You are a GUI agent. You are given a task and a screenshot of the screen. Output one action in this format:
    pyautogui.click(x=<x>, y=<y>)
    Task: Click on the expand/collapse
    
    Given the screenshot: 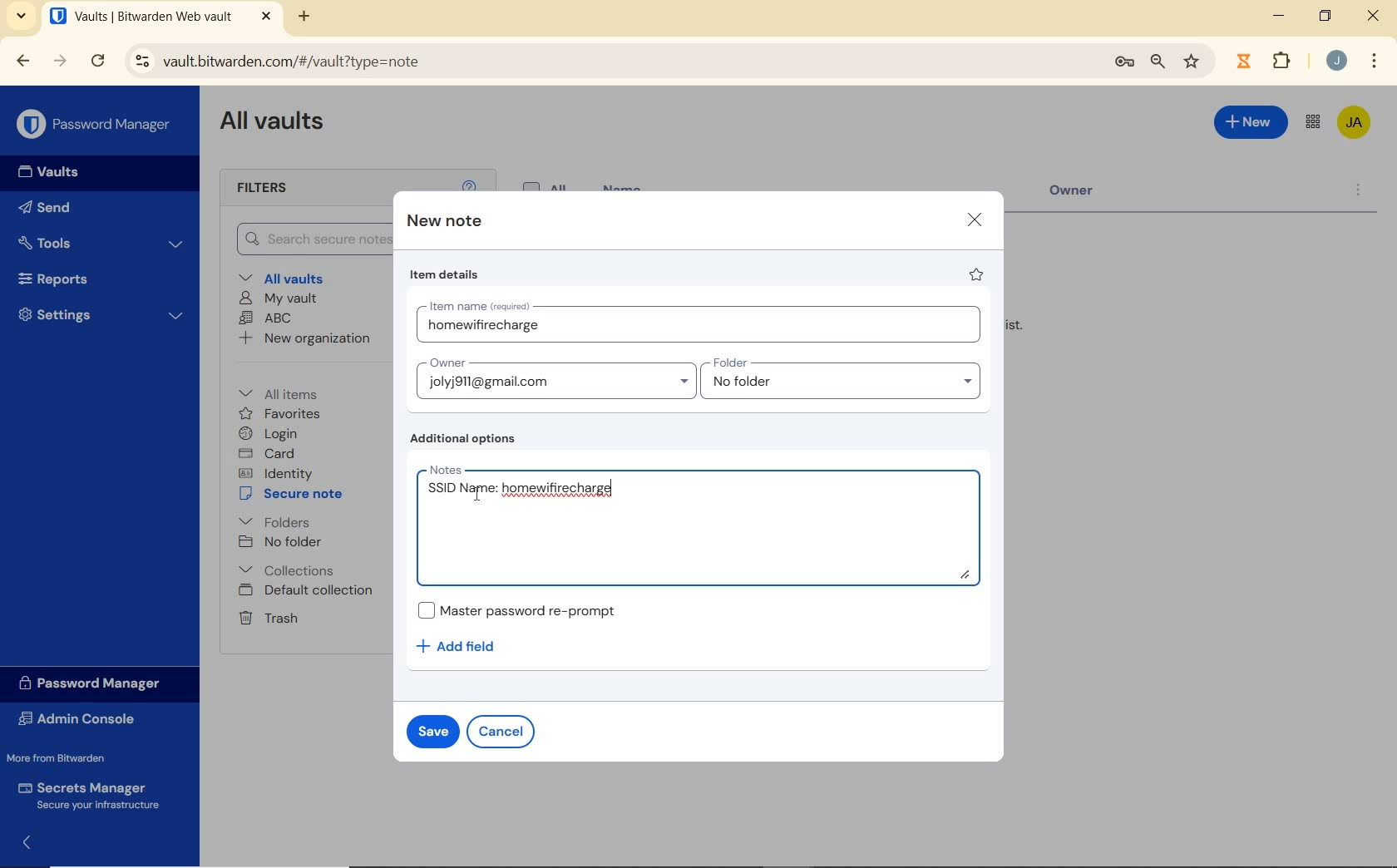 What is the action you would take?
    pyautogui.click(x=22, y=846)
    